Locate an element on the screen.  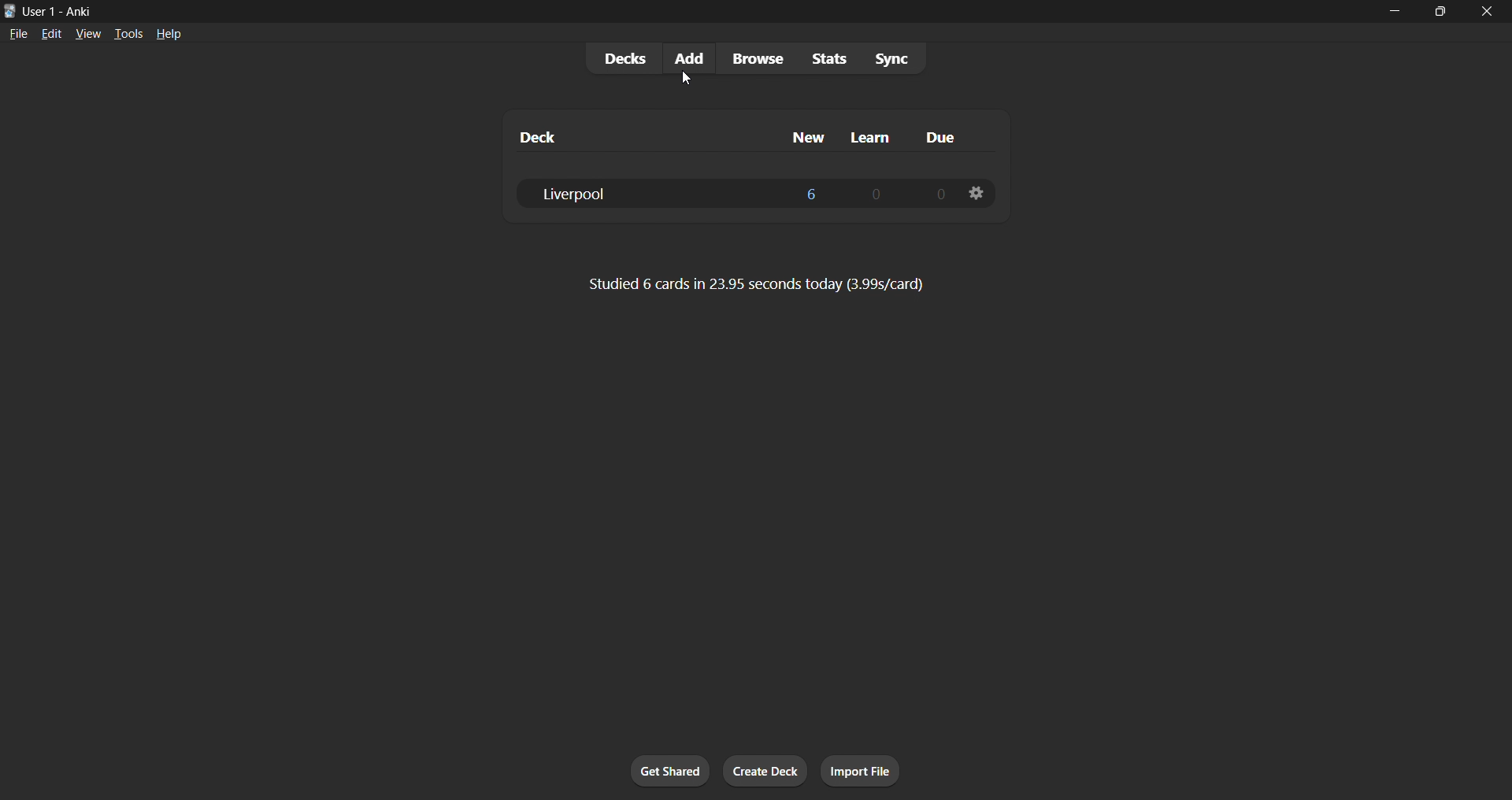
liverpool deck data is located at coordinates (636, 194).